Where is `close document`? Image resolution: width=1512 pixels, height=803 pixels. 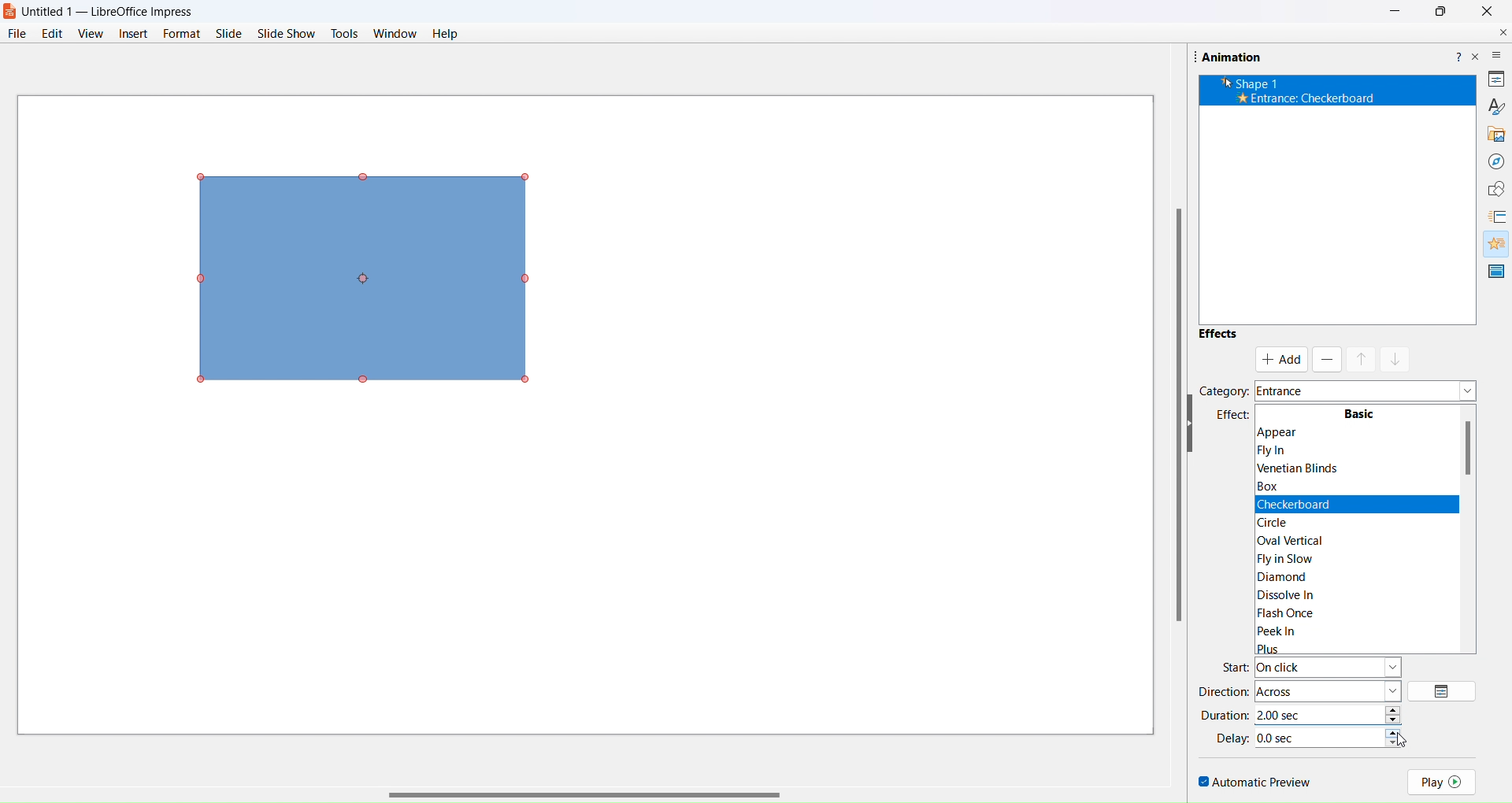 close document is located at coordinates (1499, 32).